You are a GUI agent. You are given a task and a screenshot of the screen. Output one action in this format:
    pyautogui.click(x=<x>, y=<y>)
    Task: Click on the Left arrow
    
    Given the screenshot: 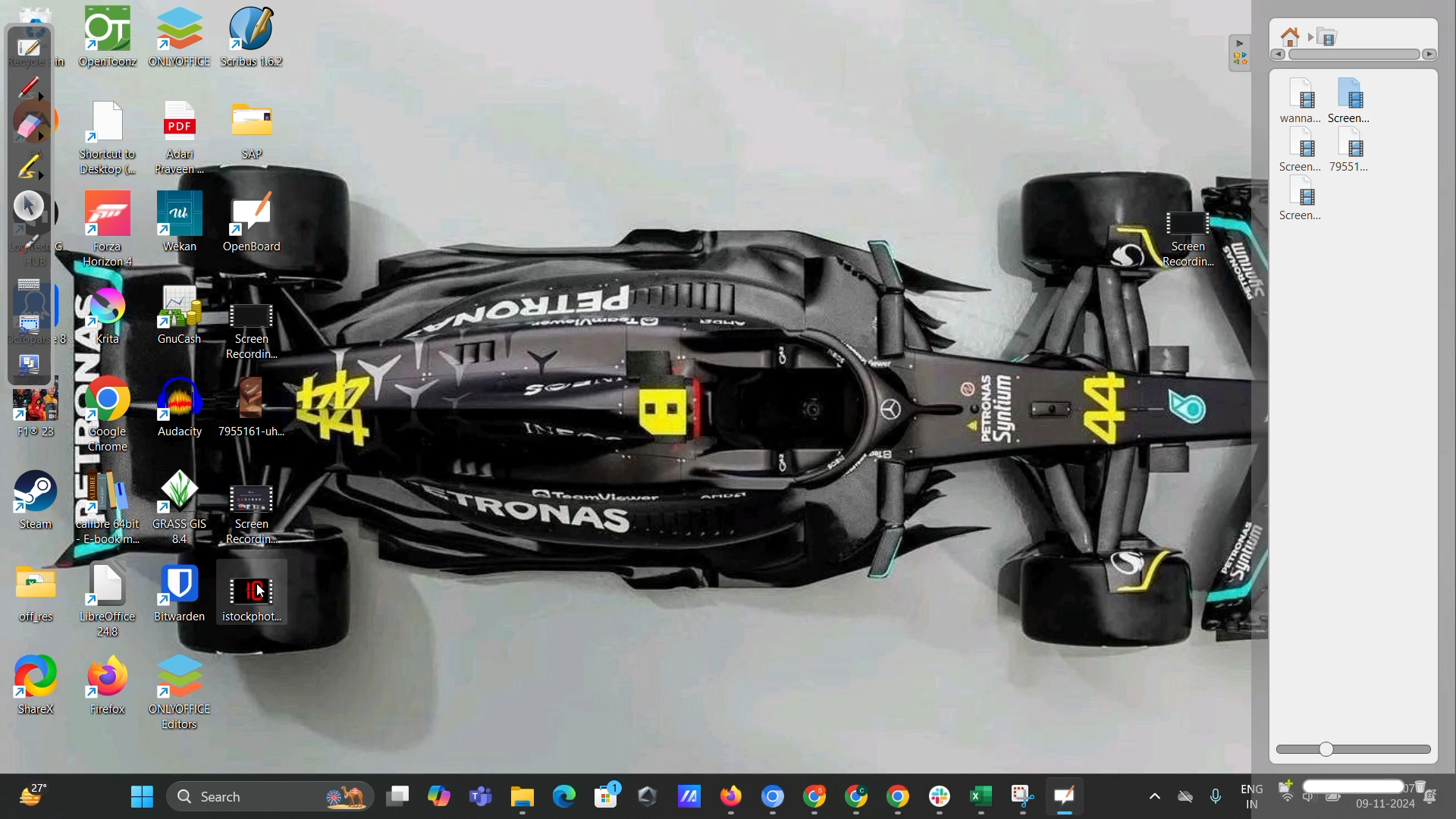 What is the action you would take?
    pyautogui.click(x=1278, y=55)
    